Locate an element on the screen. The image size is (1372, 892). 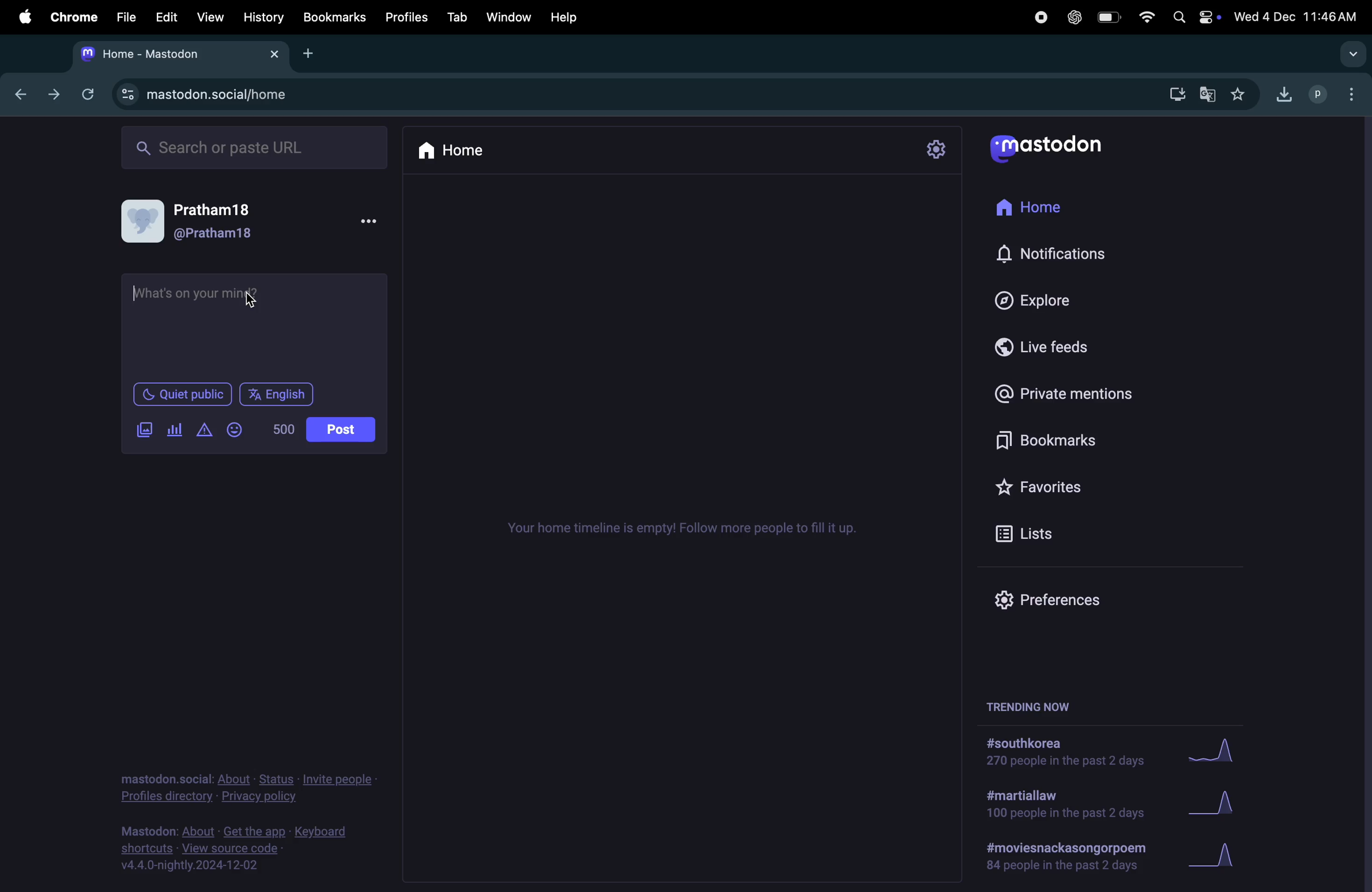
English is located at coordinates (279, 394).